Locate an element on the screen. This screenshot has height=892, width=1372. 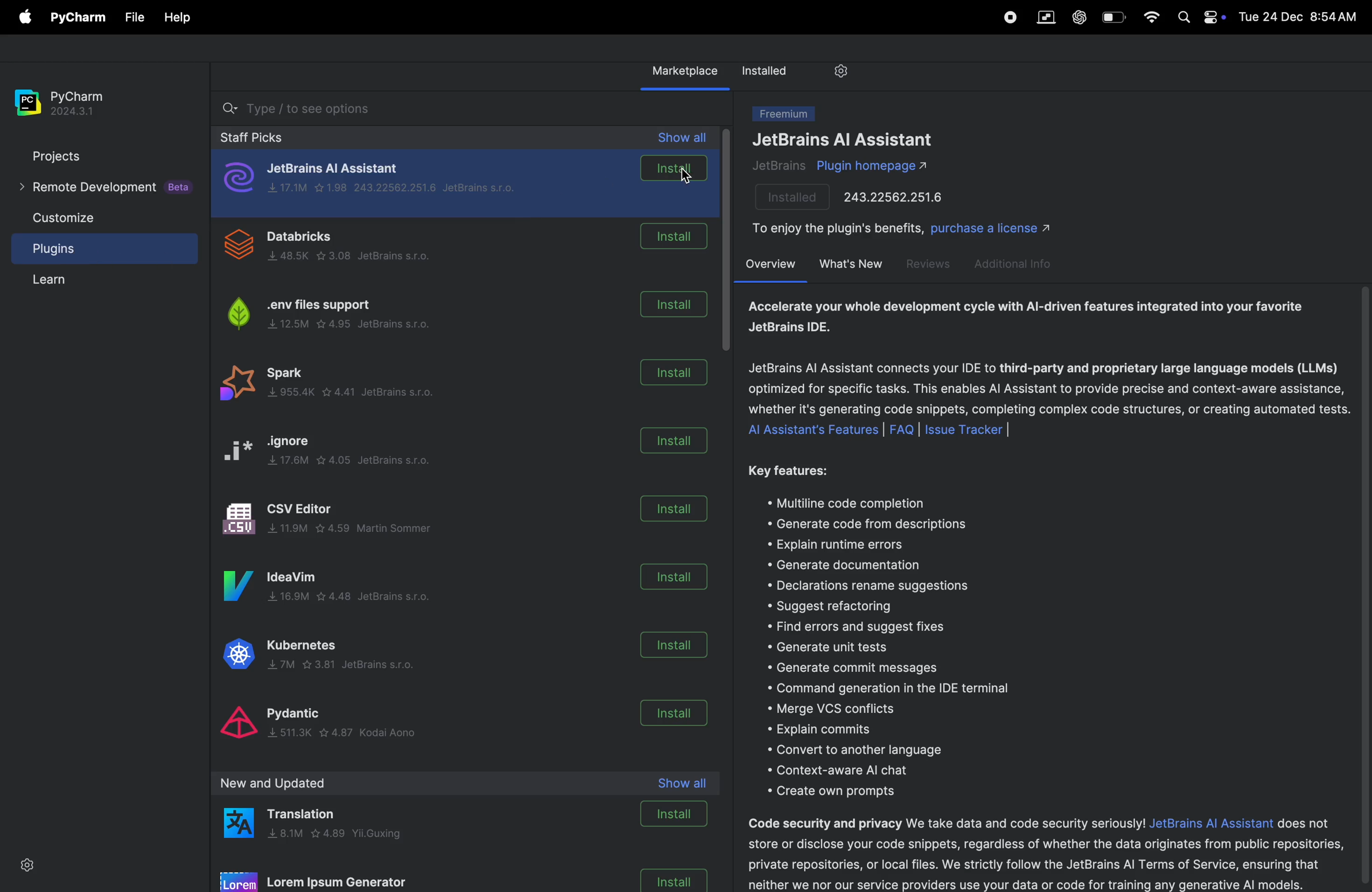
over view is located at coordinates (770, 266).